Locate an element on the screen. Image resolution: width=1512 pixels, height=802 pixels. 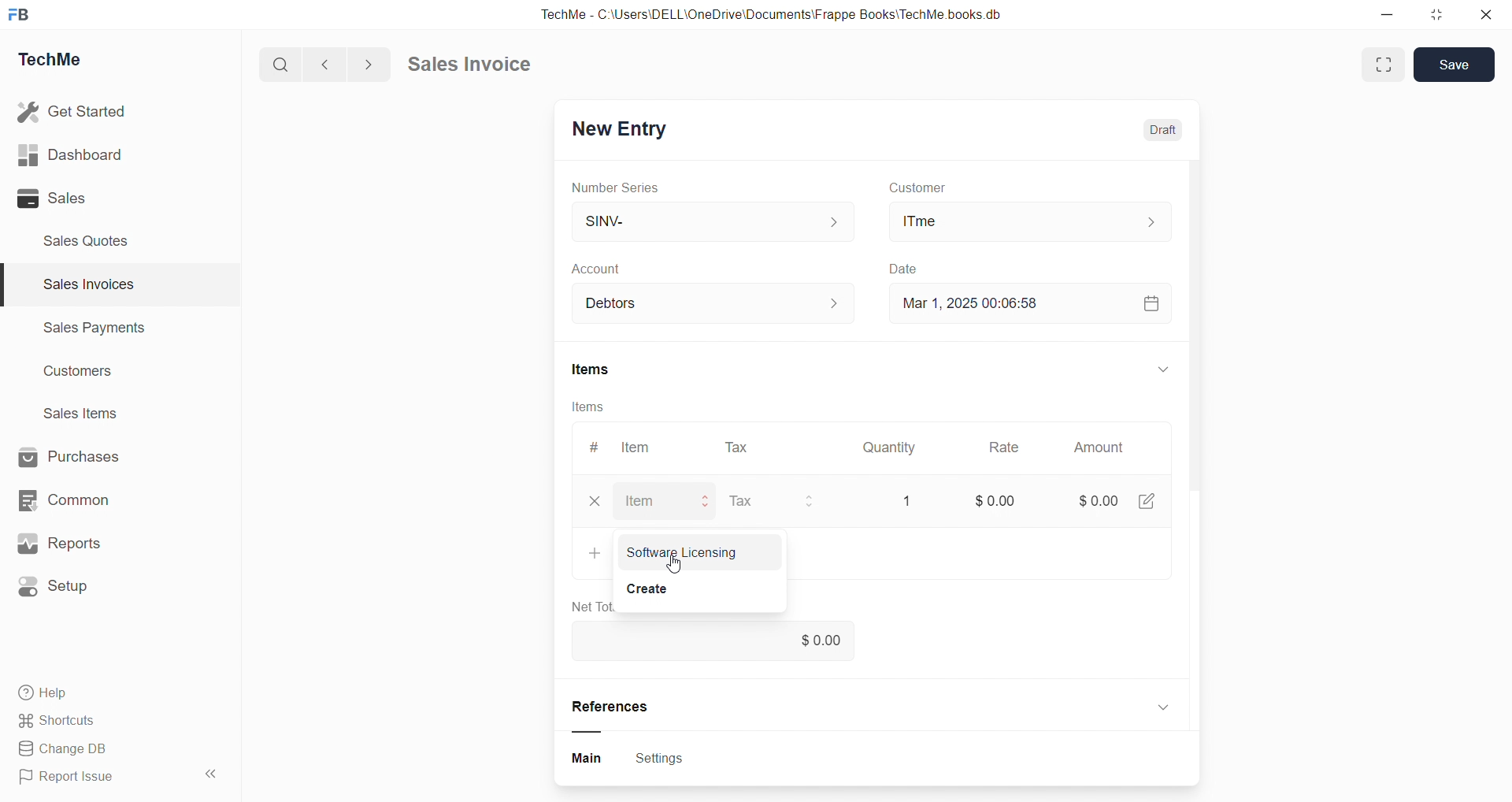
 Help is located at coordinates (51, 695).